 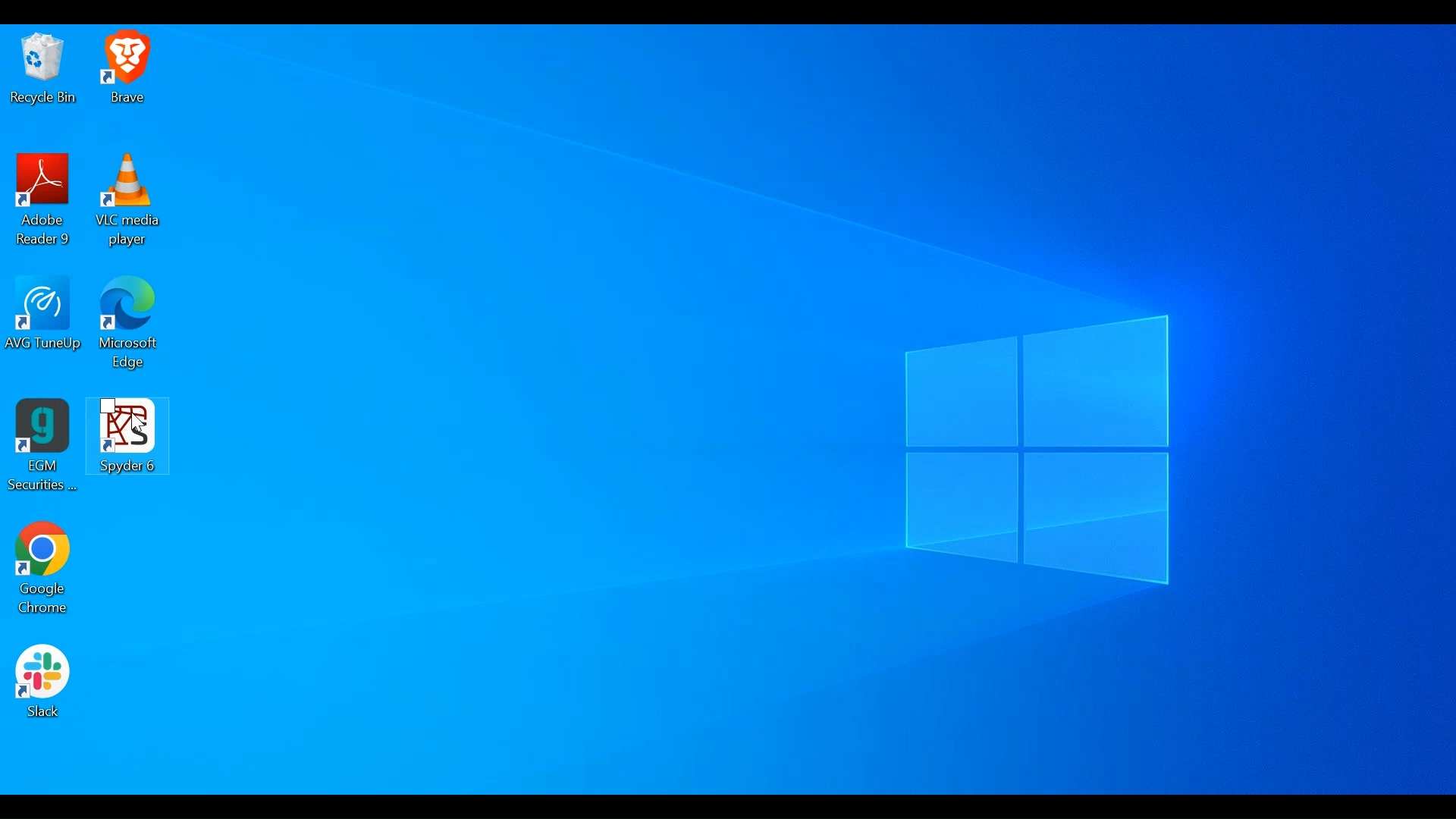 I want to click on Google Chrome Desktop Icon, so click(x=41, y=571).